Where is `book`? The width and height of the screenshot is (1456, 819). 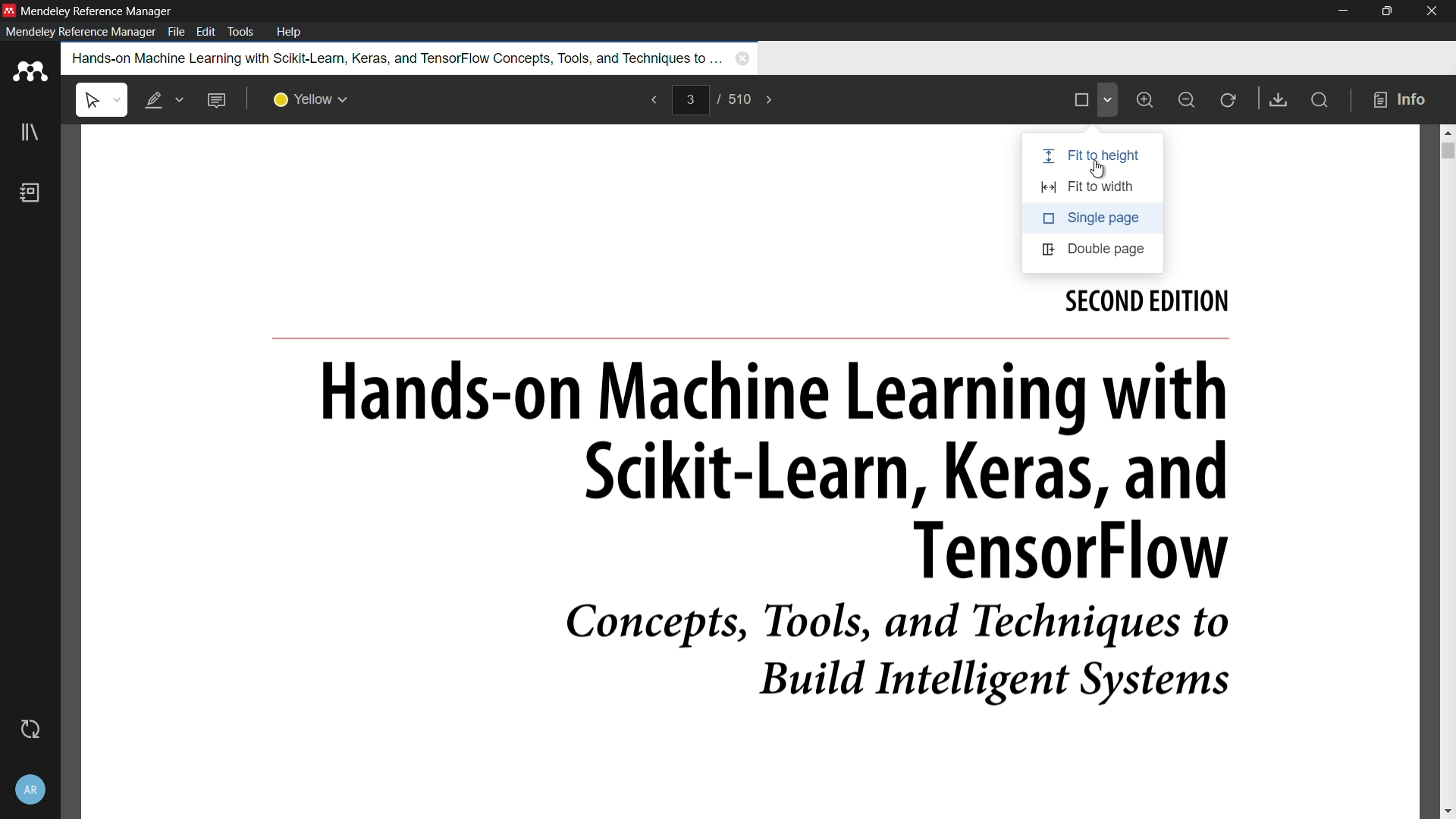
book is located at coordinates (30, 193).